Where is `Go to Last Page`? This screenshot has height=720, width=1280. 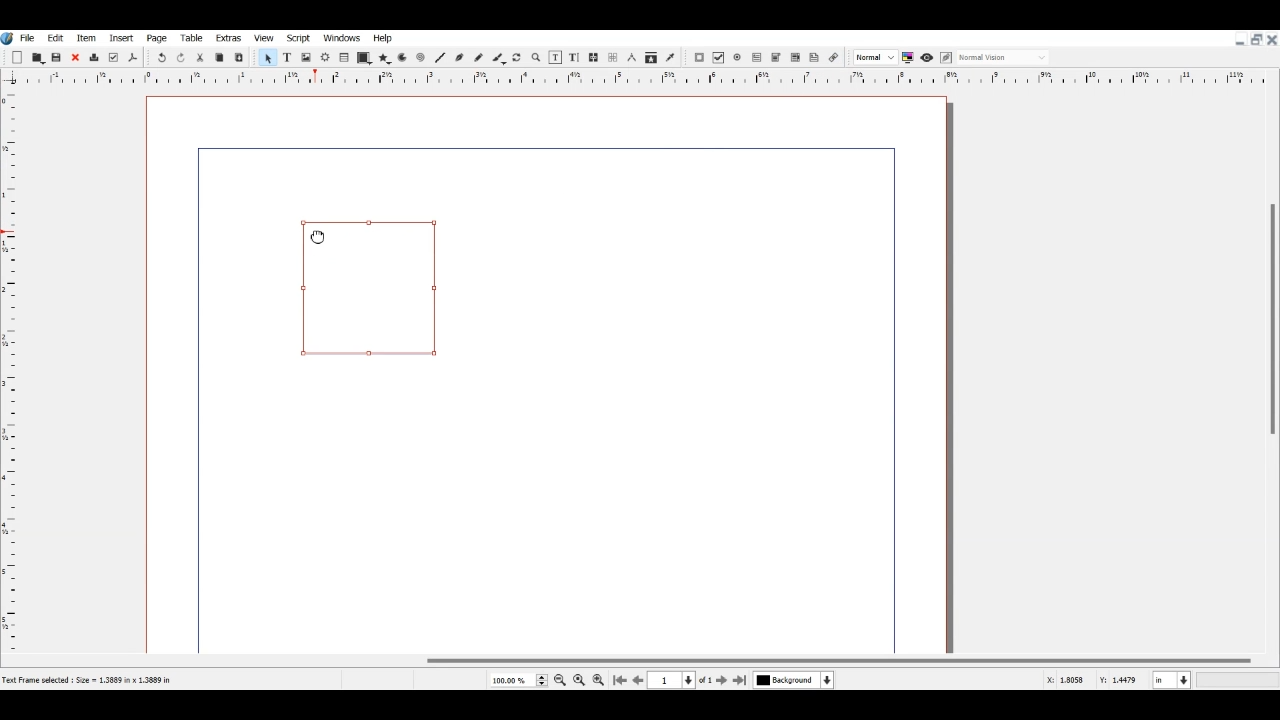
Go to Last Page is located at coordinates (742, 681).